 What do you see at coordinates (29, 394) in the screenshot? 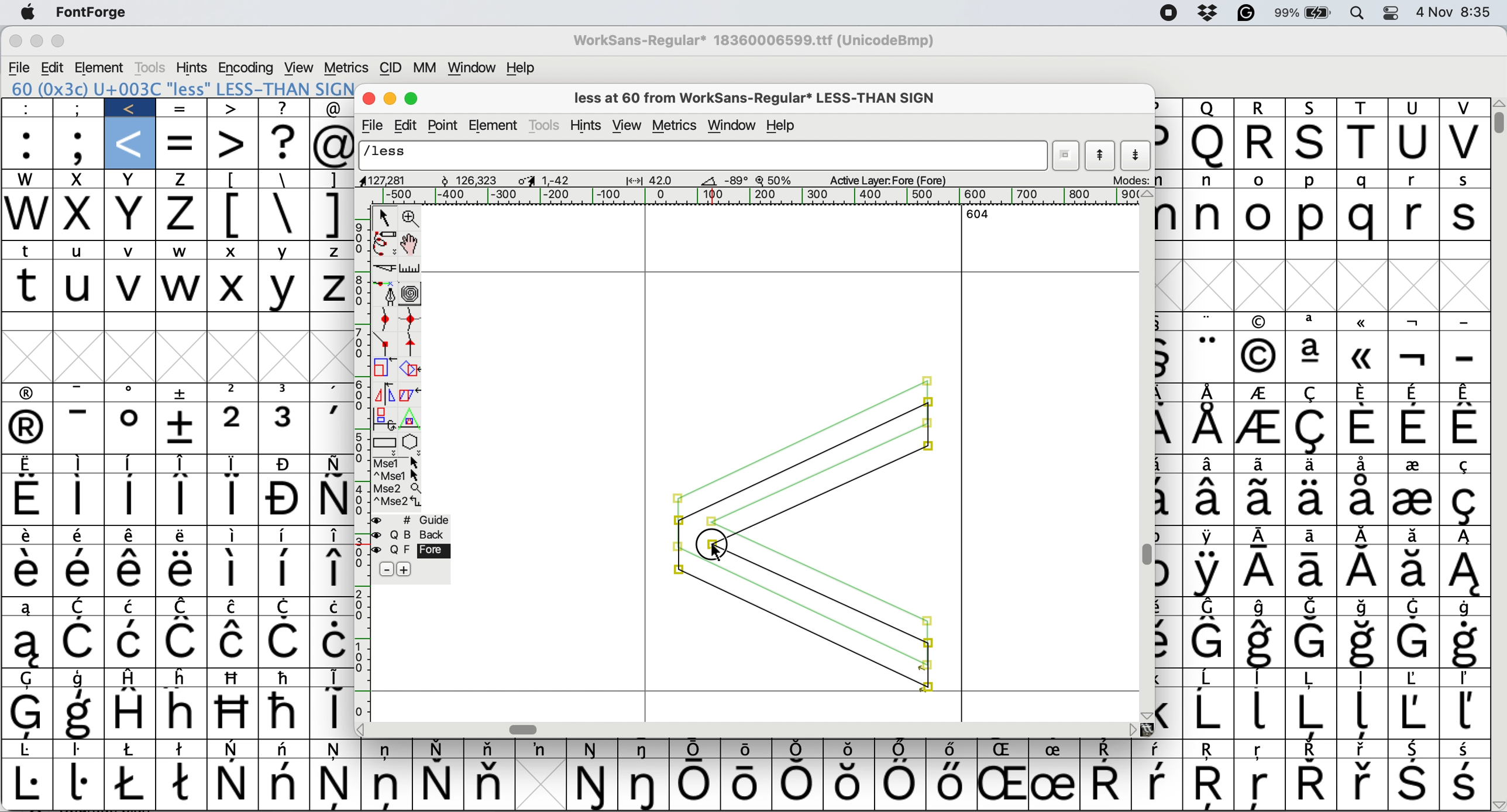
I see `Symbol` at bounding box center [29, 394].